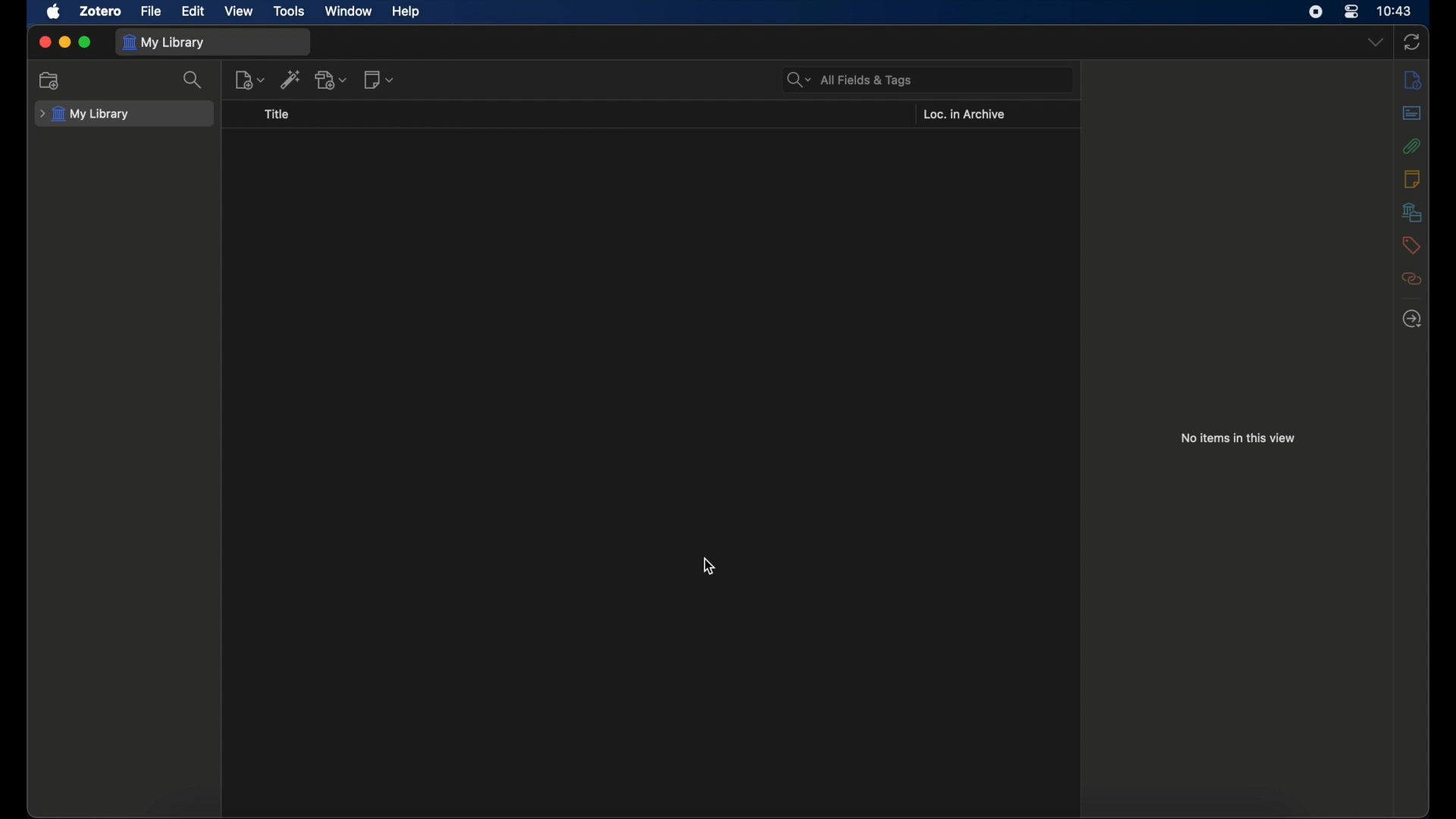 Image resolution: width=1456 pixels, height=819 pixels. What do you see at coordinates (1411, 212) in the screenshot?
I see `libraries` at bounding box center [1411, 212].